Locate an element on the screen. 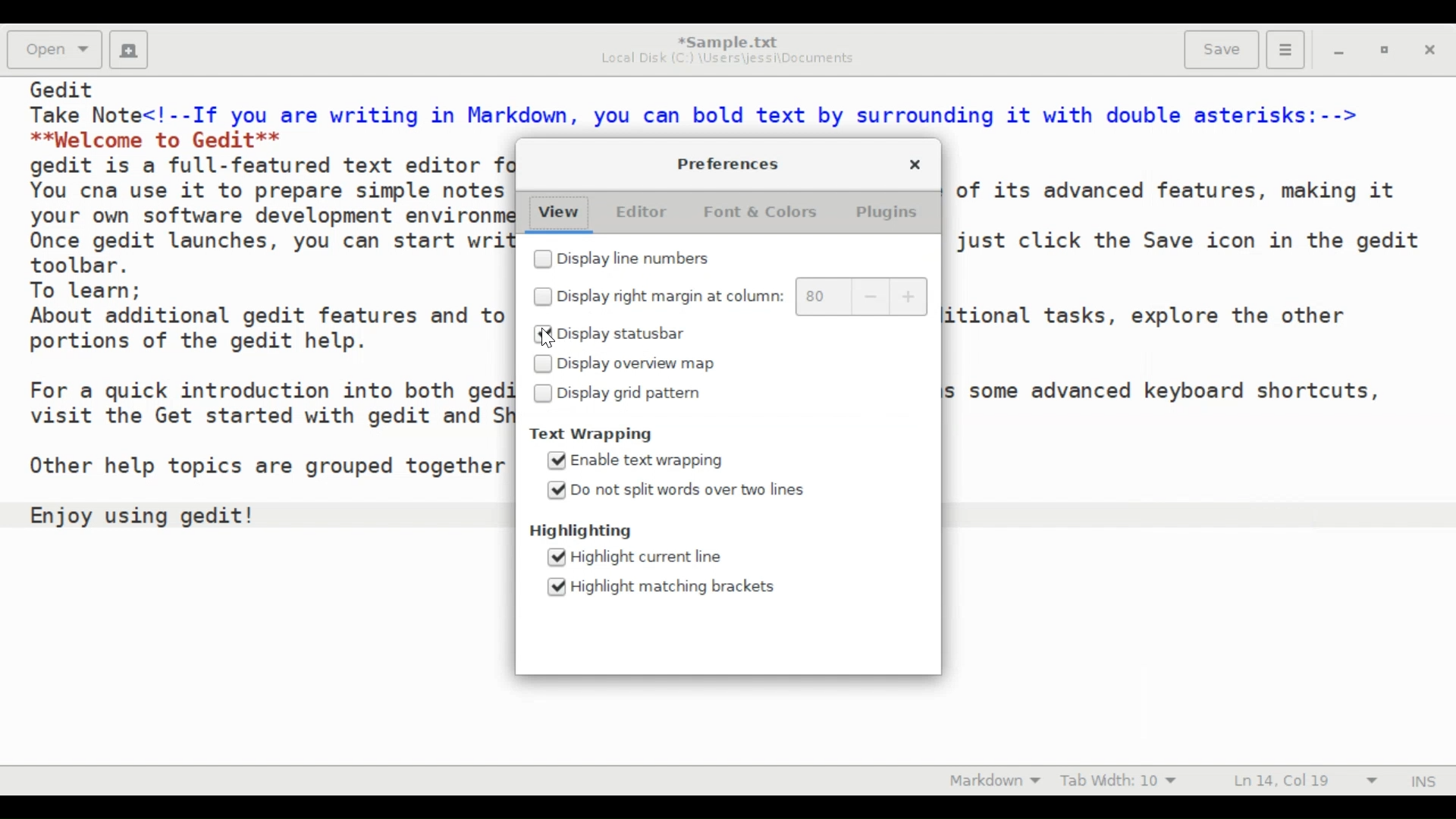 The image size is (1456, 819). (un)select Enable text wrapping is located at coordinates (644, 462).